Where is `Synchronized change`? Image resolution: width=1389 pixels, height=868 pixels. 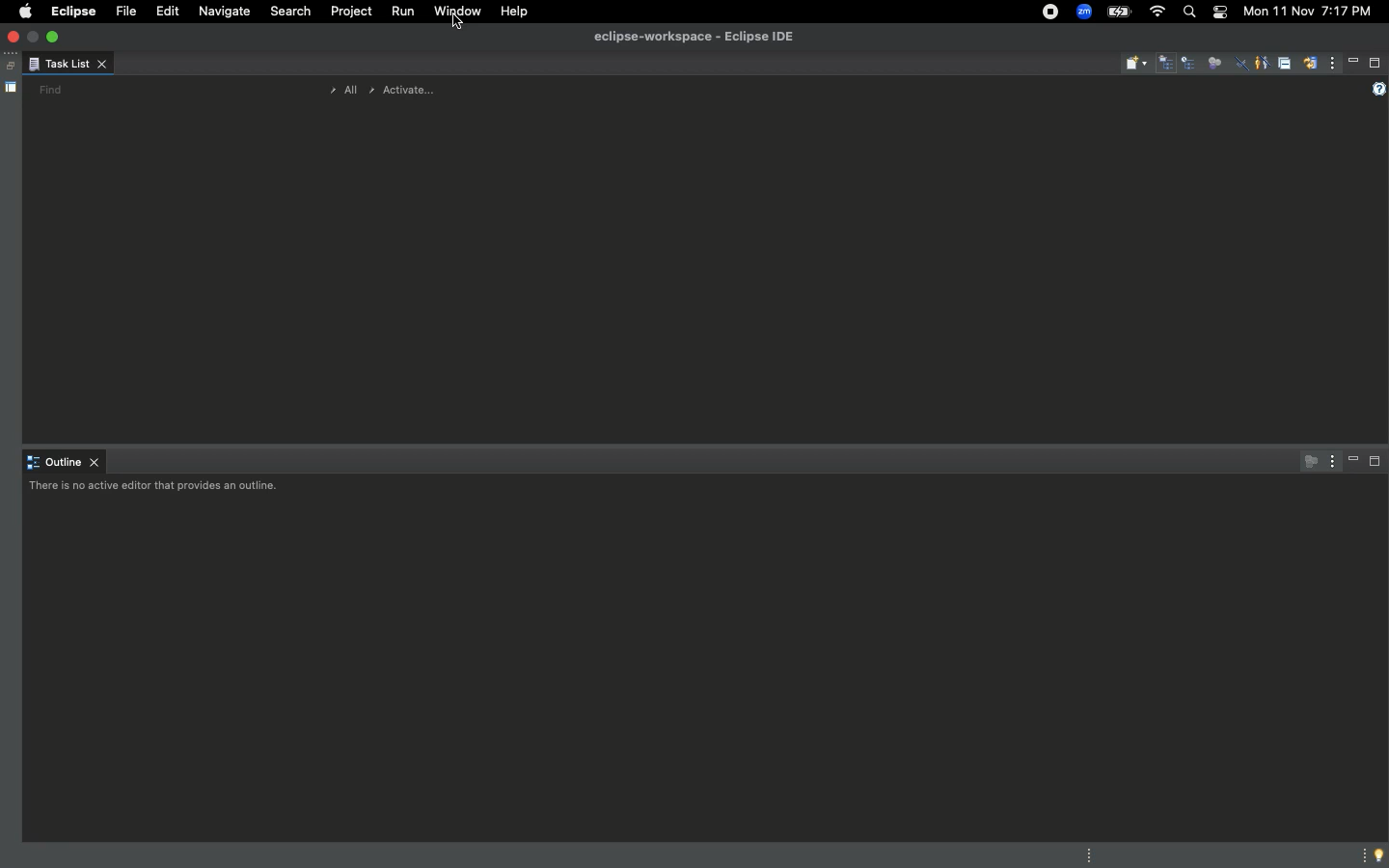 Synchronized change is located at coordinates (1310, 68).